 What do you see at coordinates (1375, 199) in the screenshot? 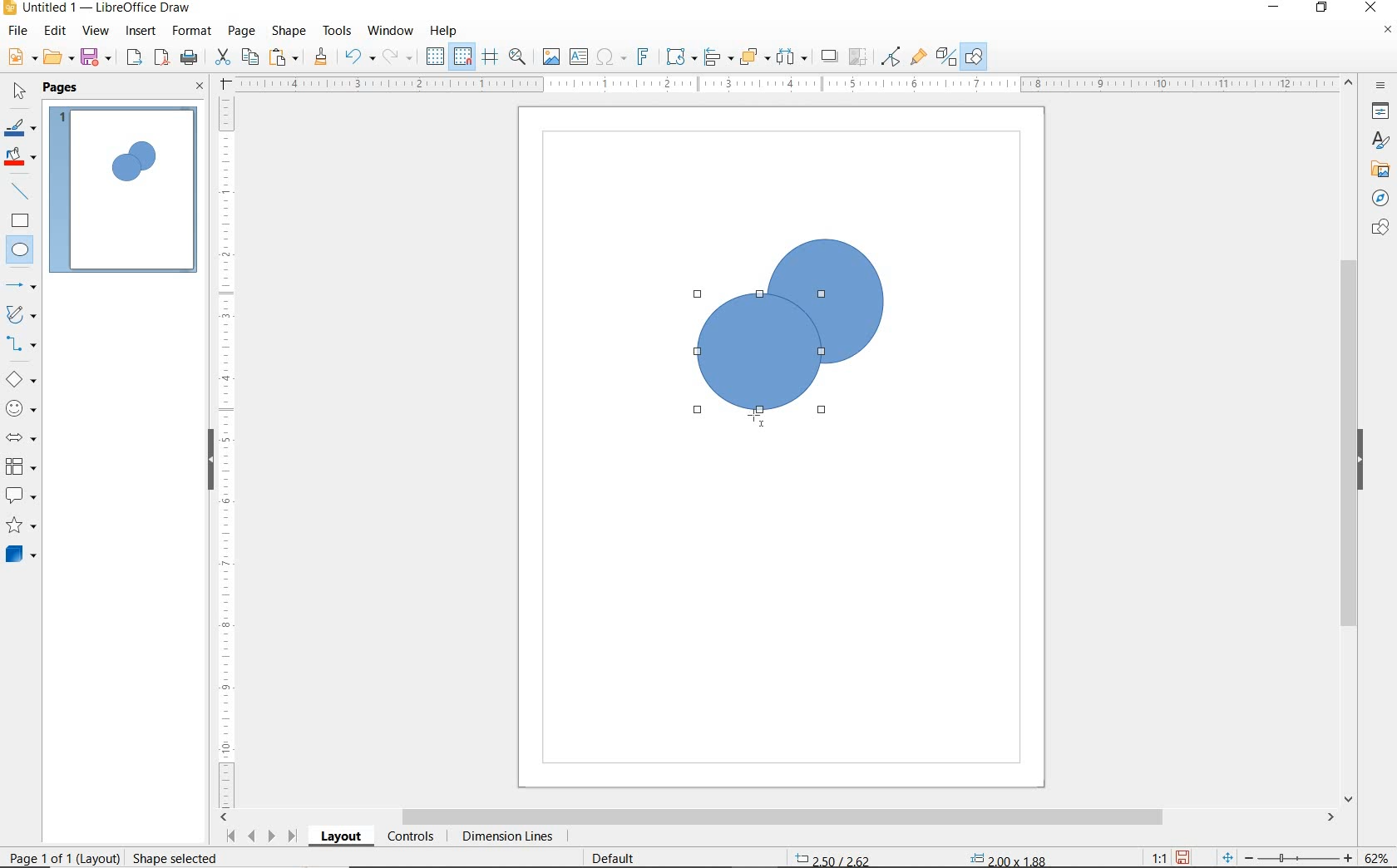
I see `NAVIGATOR` at bounding box center [1375, 199].